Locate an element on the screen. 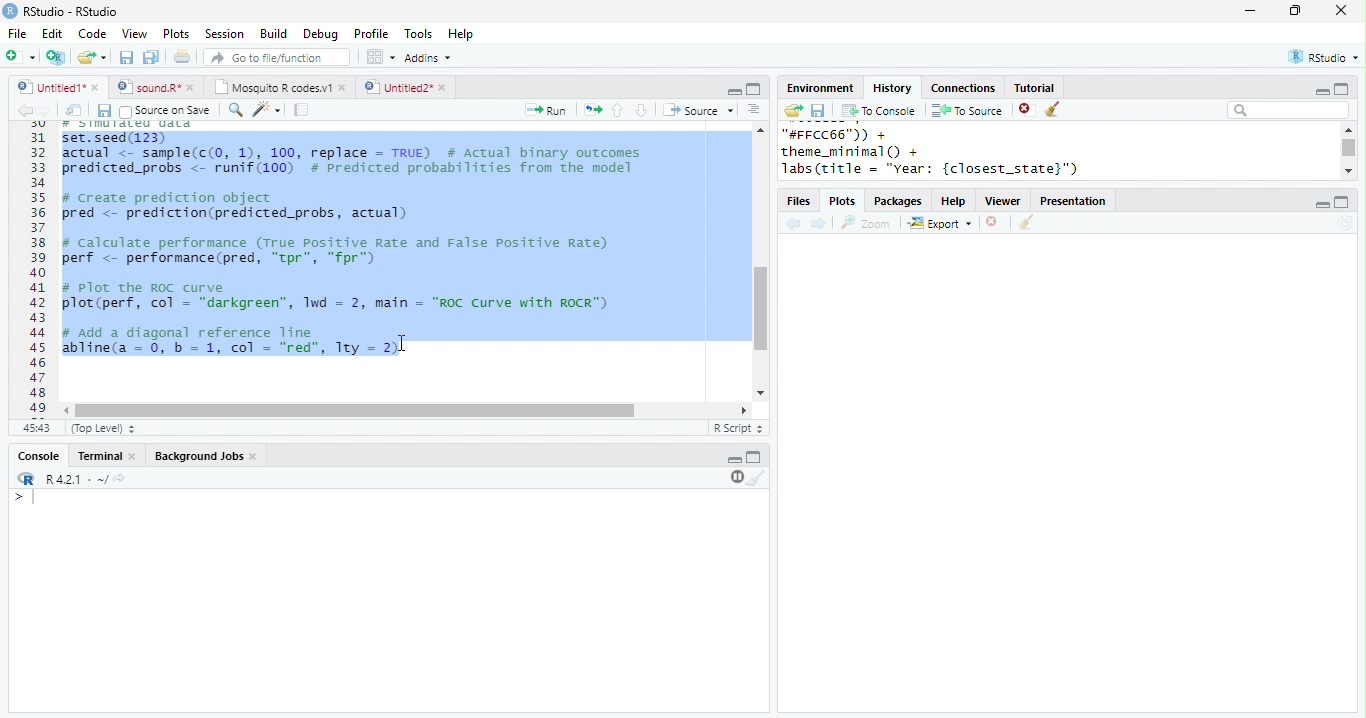 Image resolution: width=1366 pixels, height=718 pixels. help is located at coordinates (954, 202).